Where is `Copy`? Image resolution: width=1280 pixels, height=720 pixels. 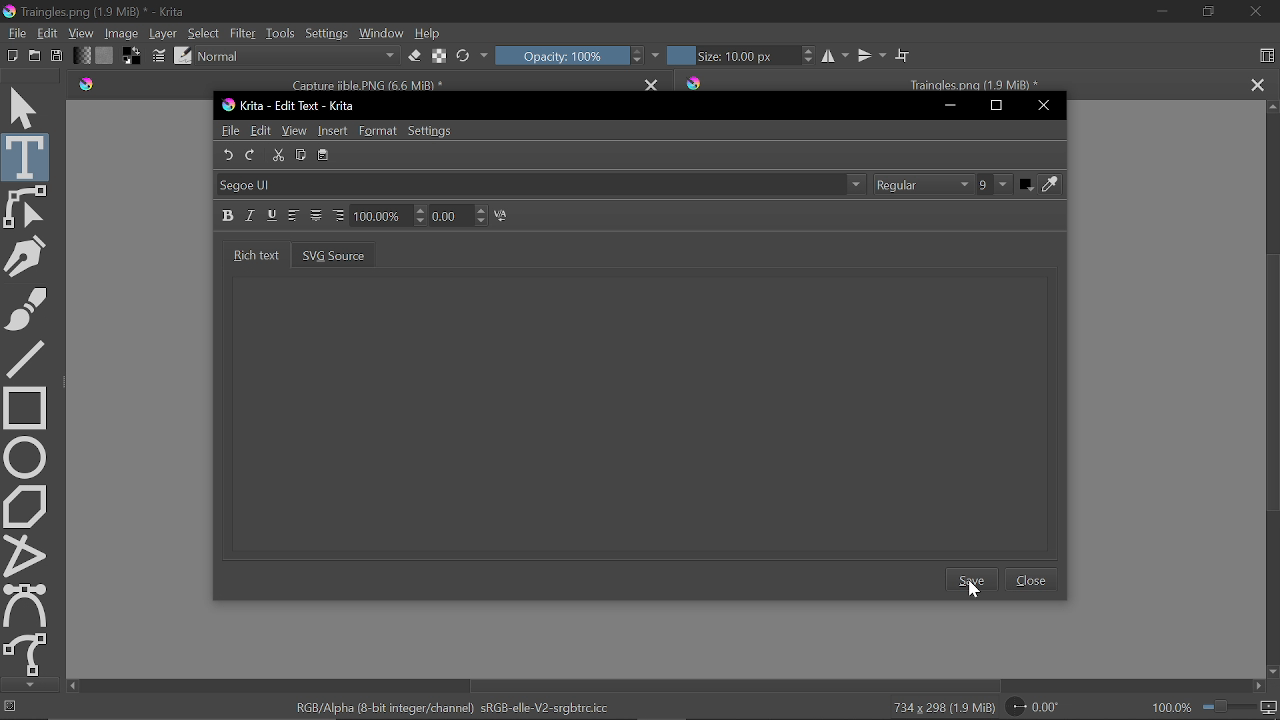
Copy is located at coordinates (302, 153).